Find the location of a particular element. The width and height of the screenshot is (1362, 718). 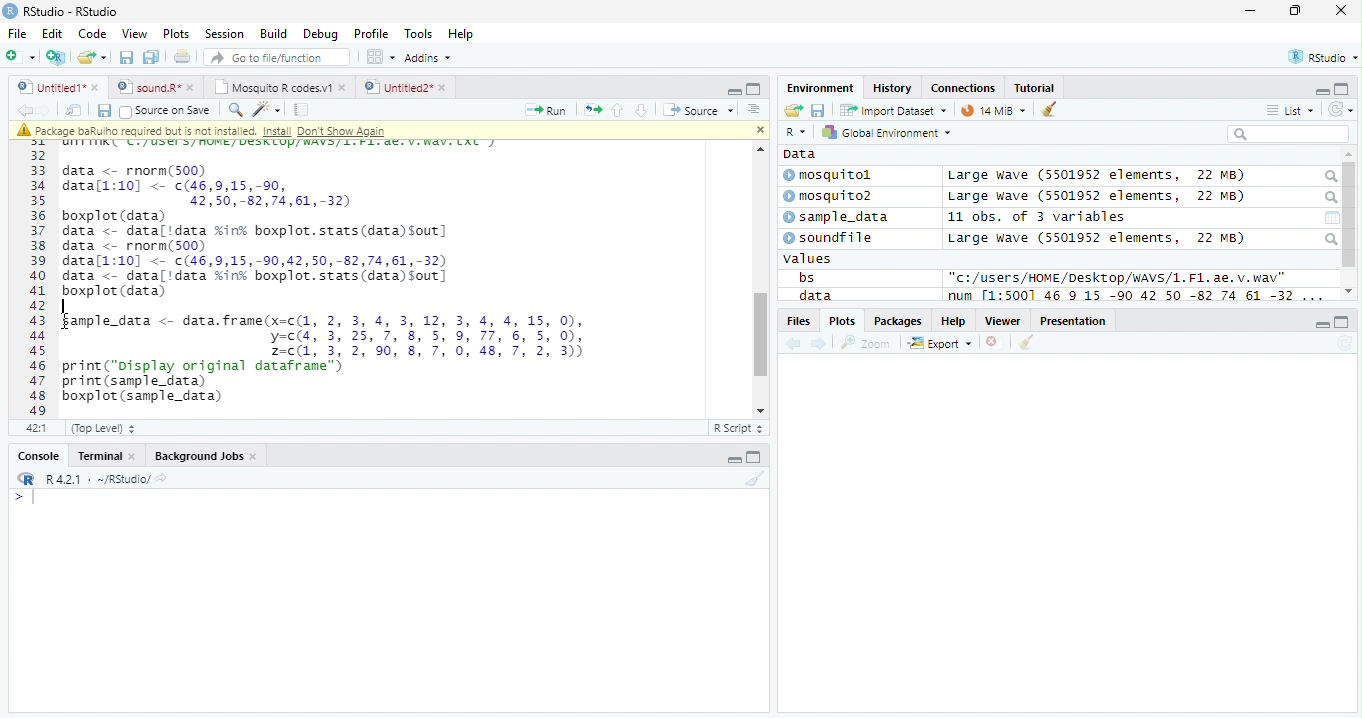

Code is located at coordinates (92, 34).